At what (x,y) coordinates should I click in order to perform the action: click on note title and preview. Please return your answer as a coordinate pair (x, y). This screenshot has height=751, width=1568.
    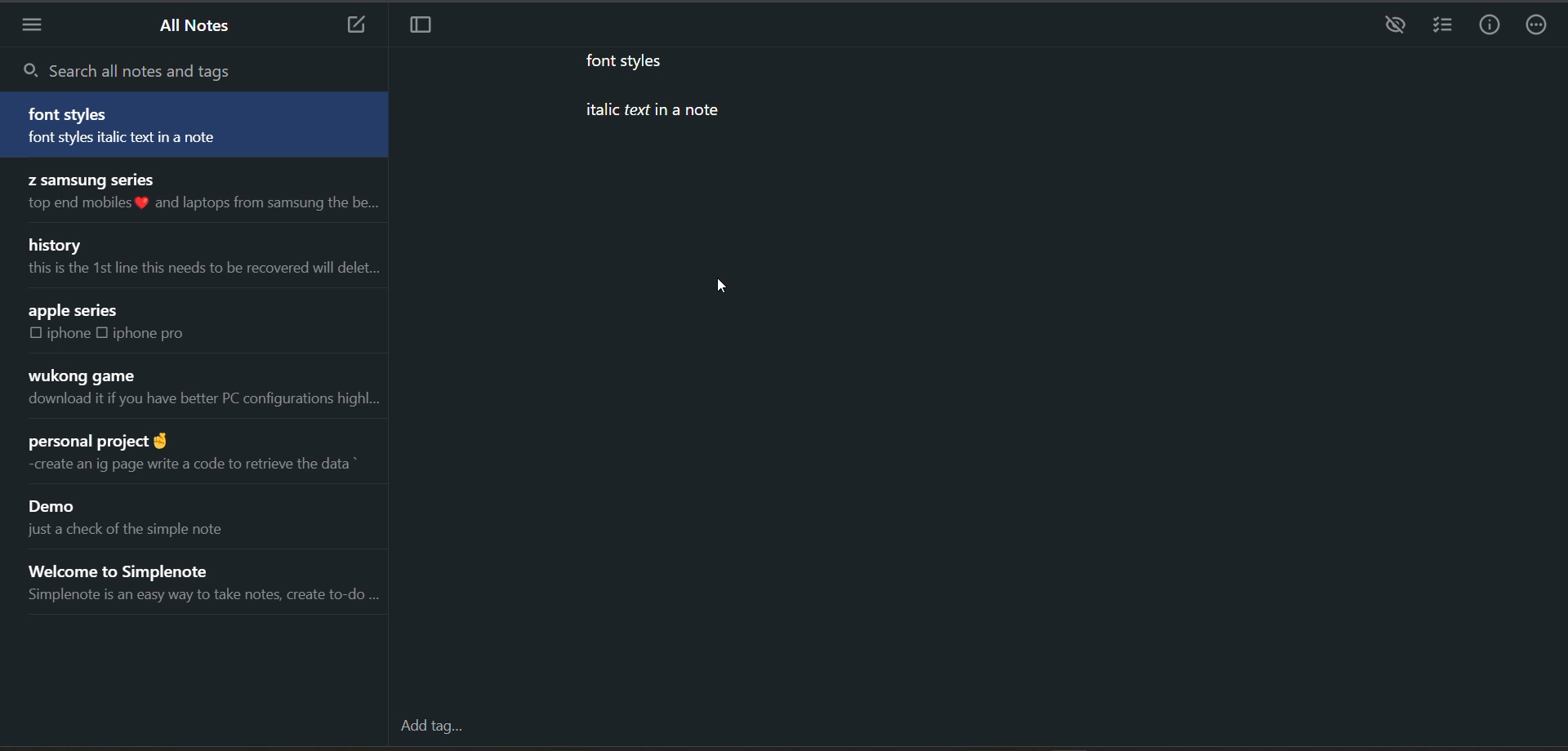
    Looking at the image, I should click on (145, 516).